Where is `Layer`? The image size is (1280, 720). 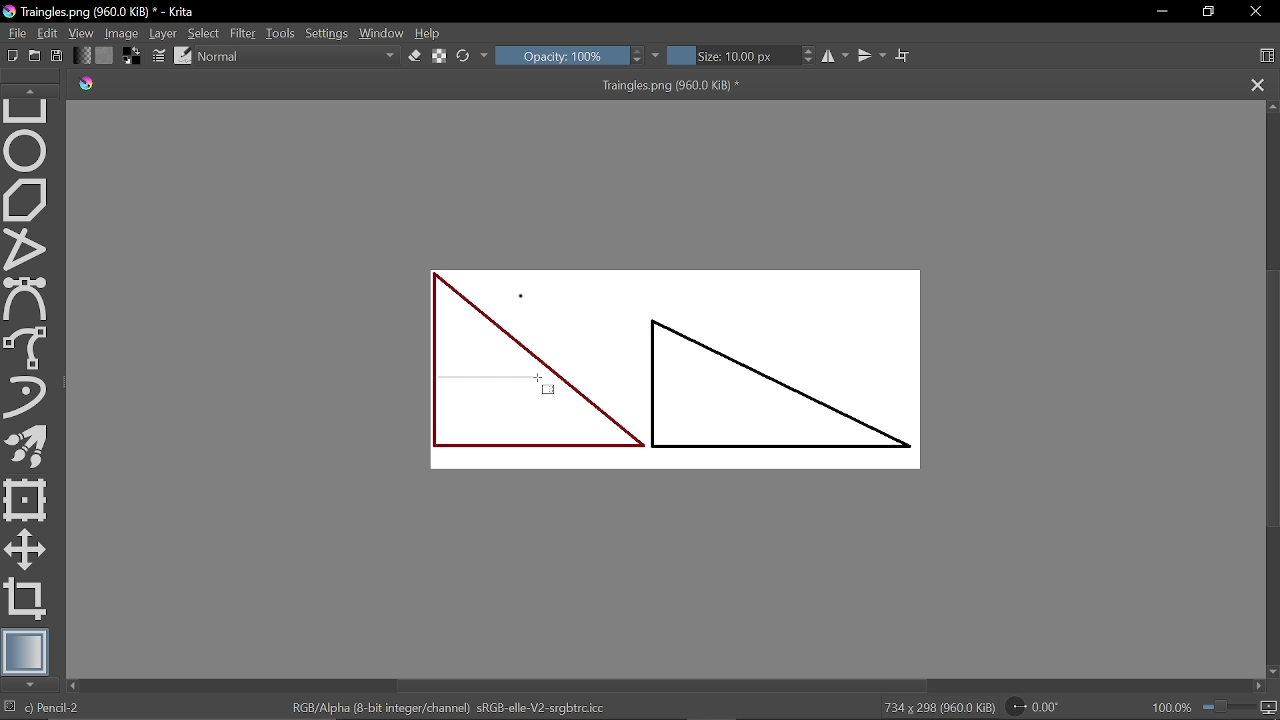 Layer is located at coordinates (162, 32).